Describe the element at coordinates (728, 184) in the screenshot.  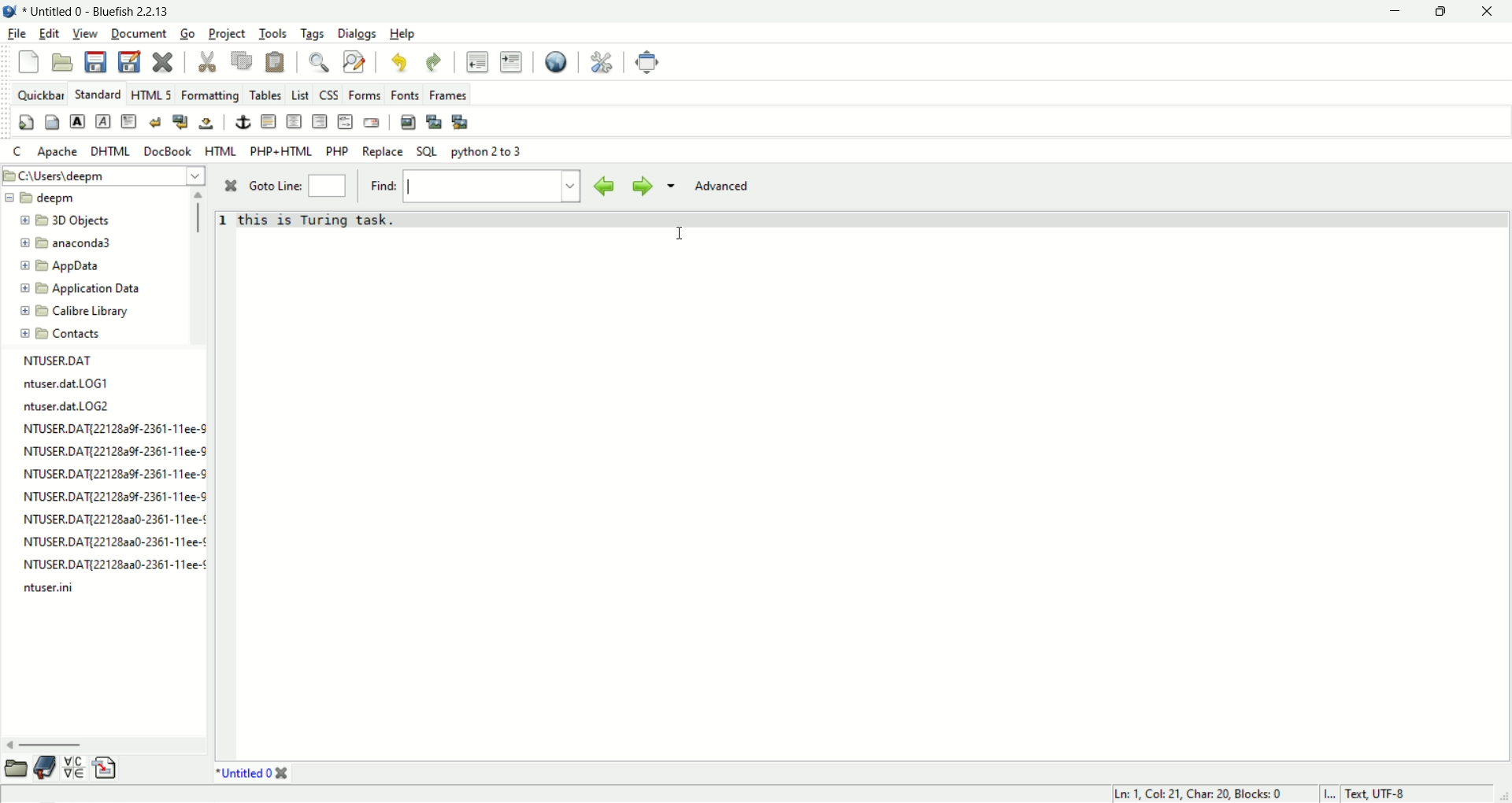
I see `advanced` at that location.